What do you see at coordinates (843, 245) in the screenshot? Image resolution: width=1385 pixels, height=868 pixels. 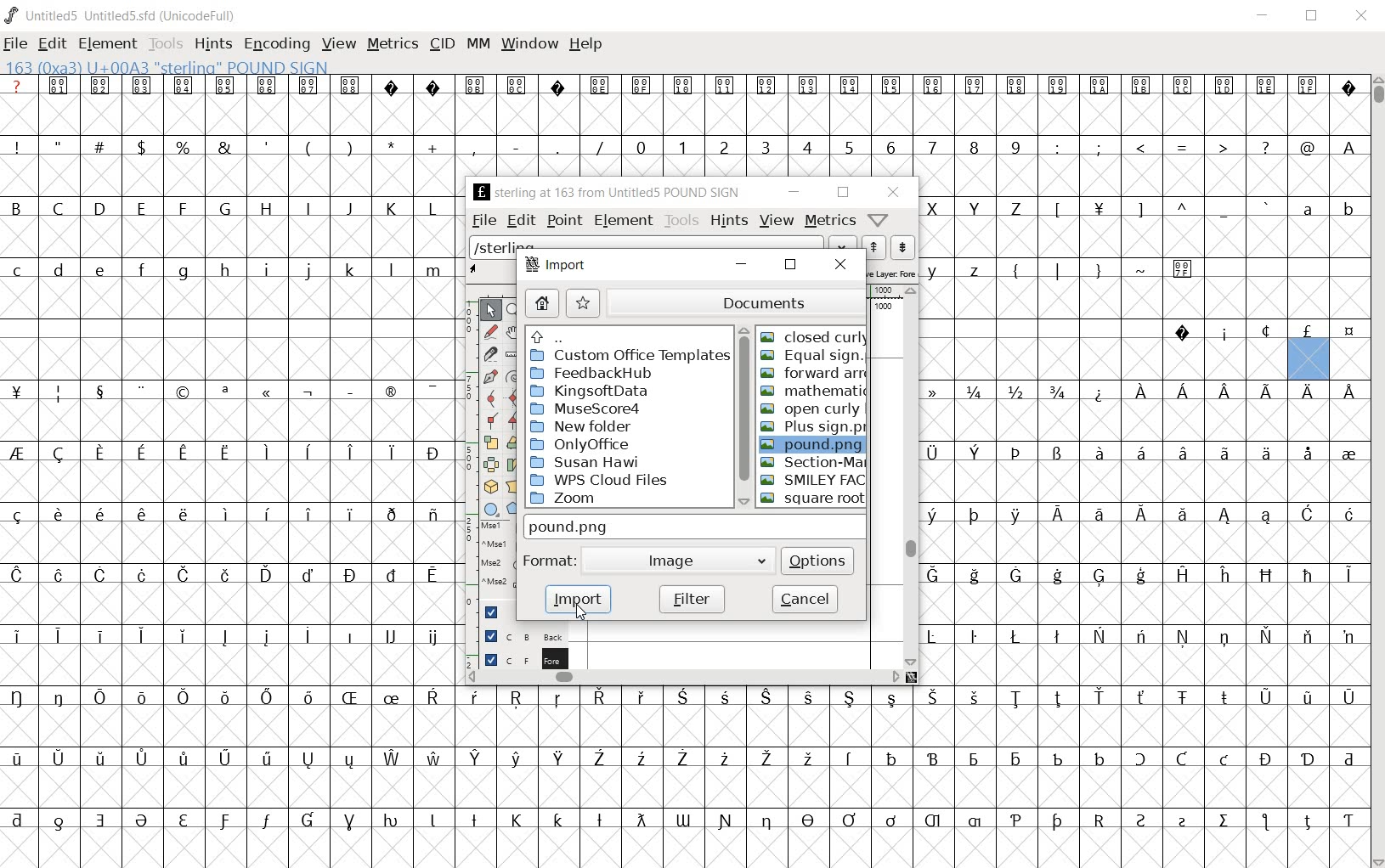 I see `load word list` at bounding box center [843, 245].